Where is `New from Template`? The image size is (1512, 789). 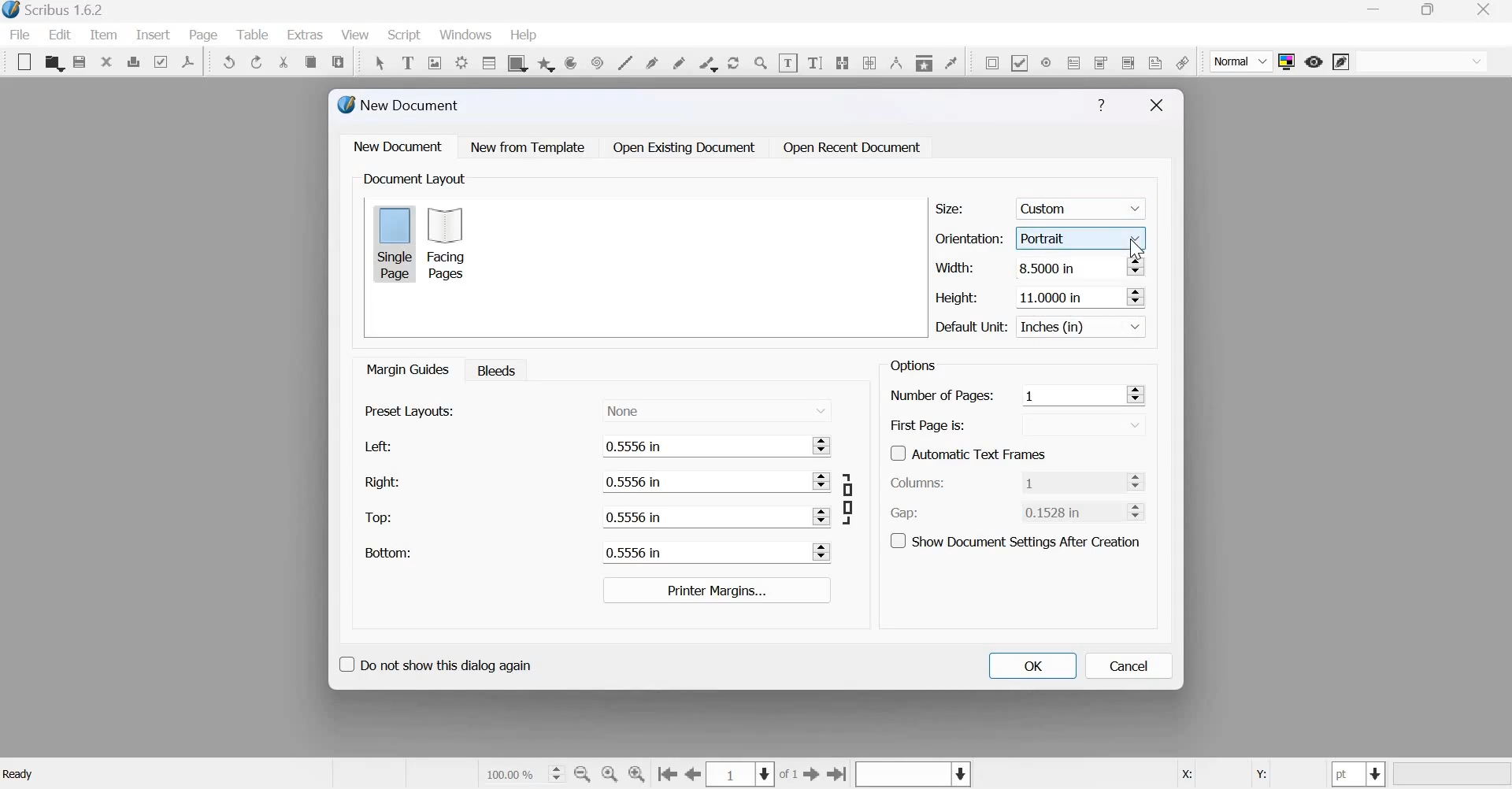
New from Template is located at coordinates (531, 146).